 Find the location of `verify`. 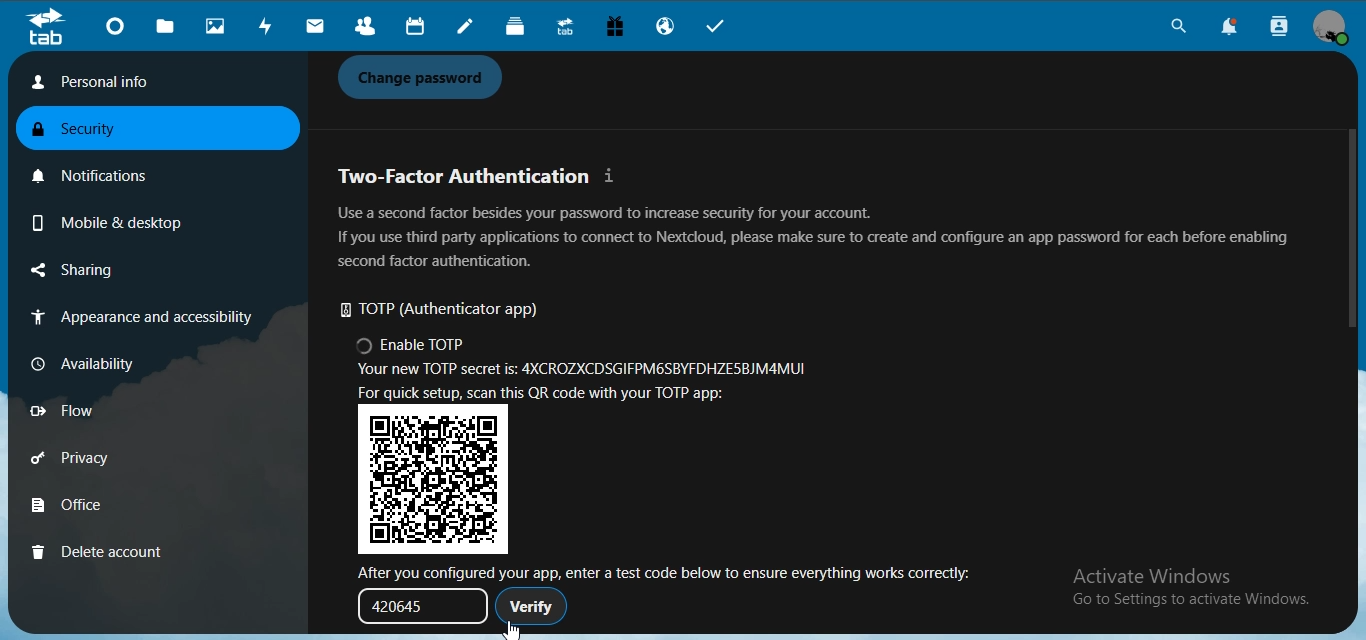

verify is located at coordinates (532, 606).